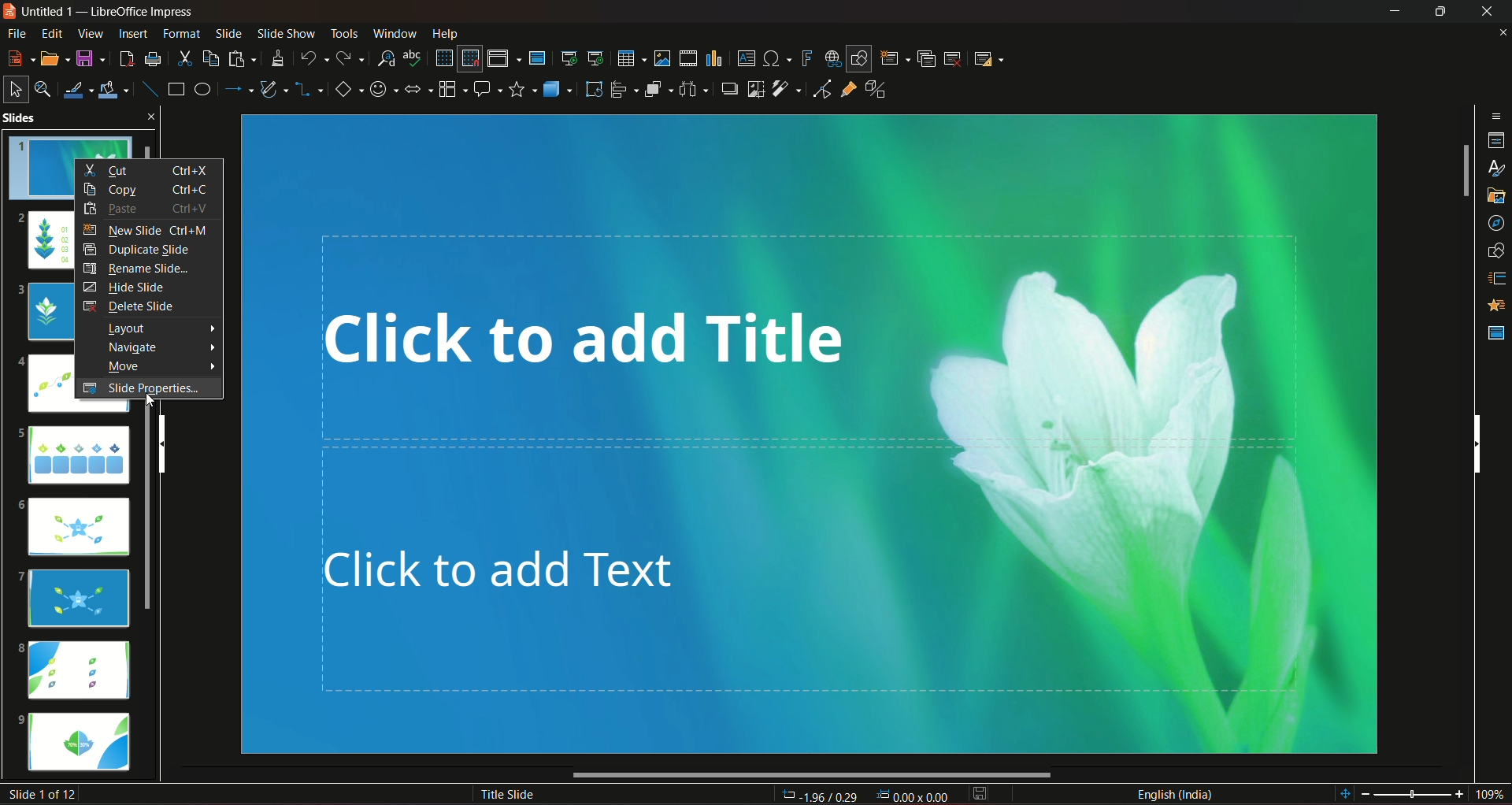  Describe the element at coordinates (754, 88) in the screenshot. I see `crop image` at that location.